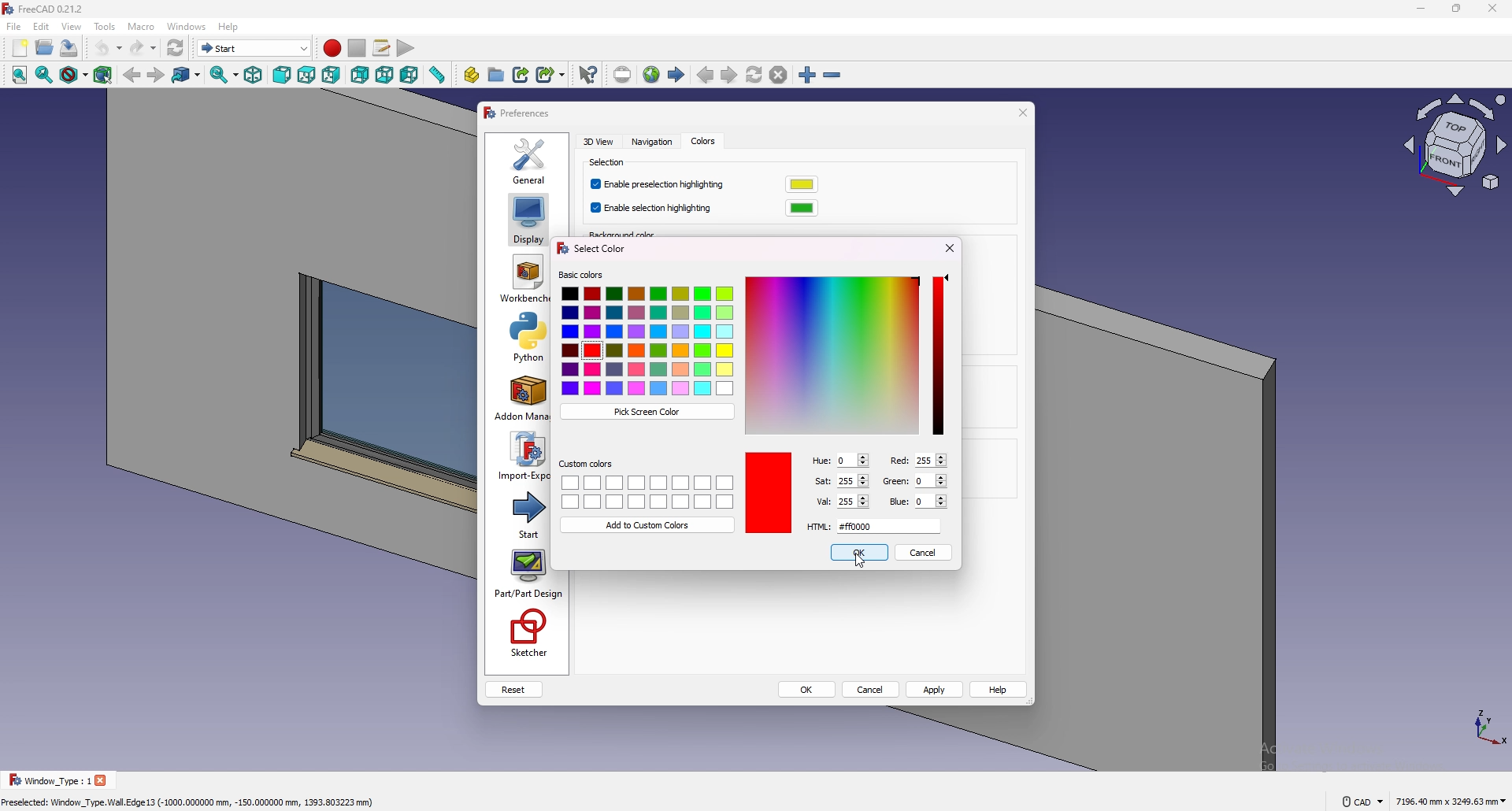 This screenshot has height=811, width=1512. Describe the element at coordinates (143, 48) in the screenshot. I see `redo` at that location.